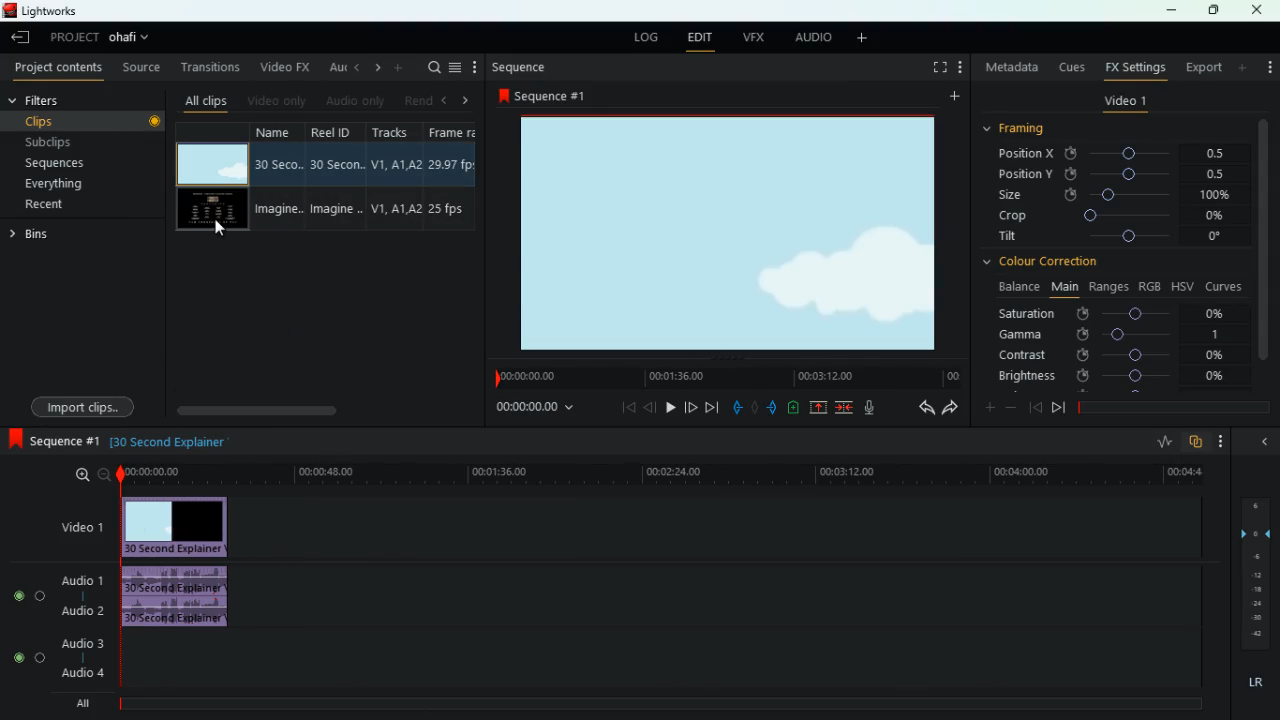  What do you see at coordinates (1113, 354) in the screenshot?
I see `contrast` at bounding box center [1113, 354].